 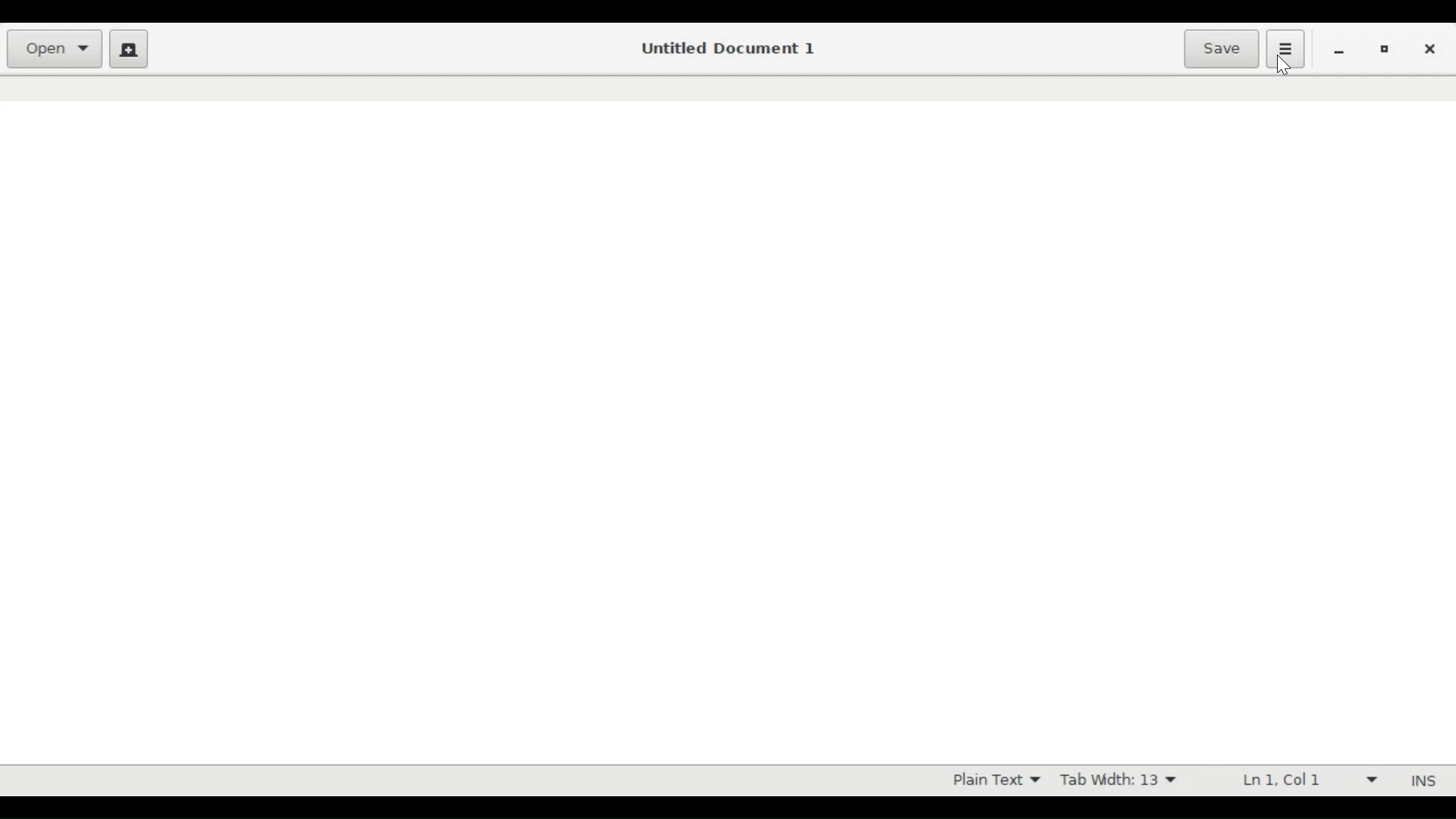 What do you see at coordinates (1301, 779) in the screenshot?
I see `Ln 1 Col 1` at bounding box center [1301, 779].